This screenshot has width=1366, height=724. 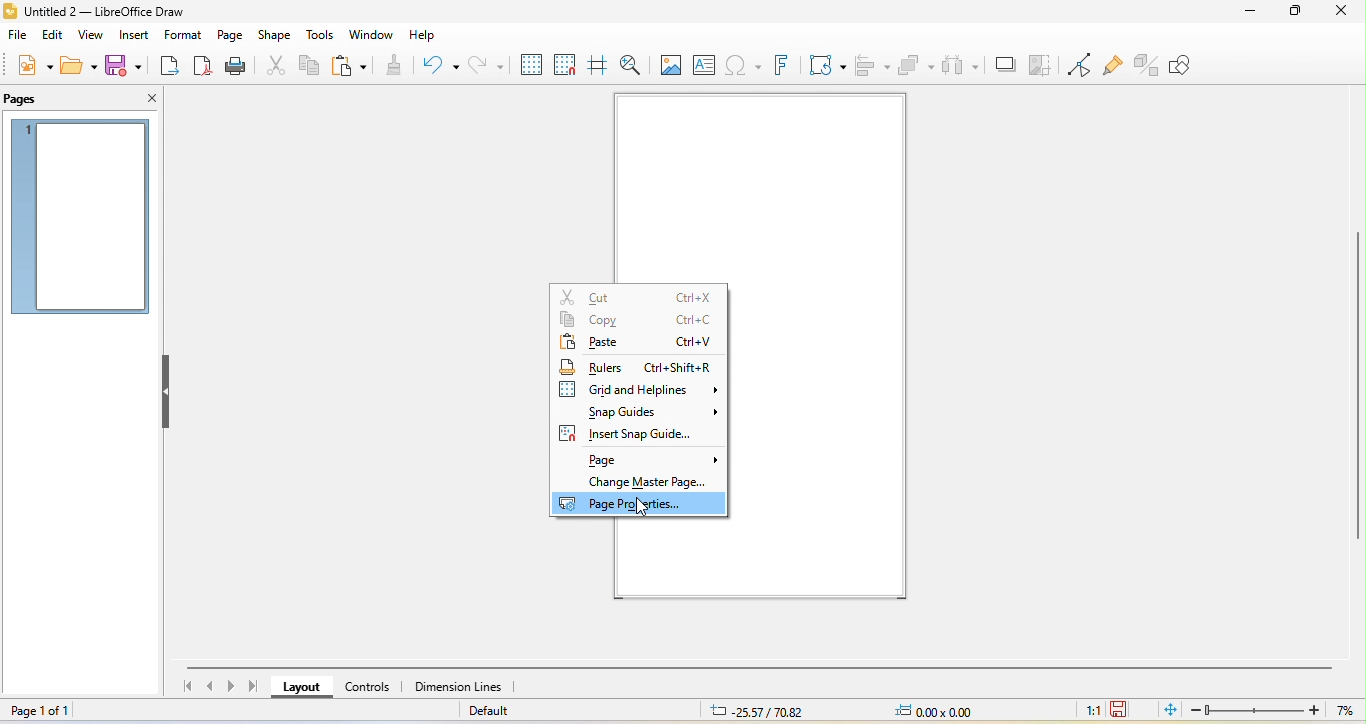 I want to click on print, so click(x=234, y=66).